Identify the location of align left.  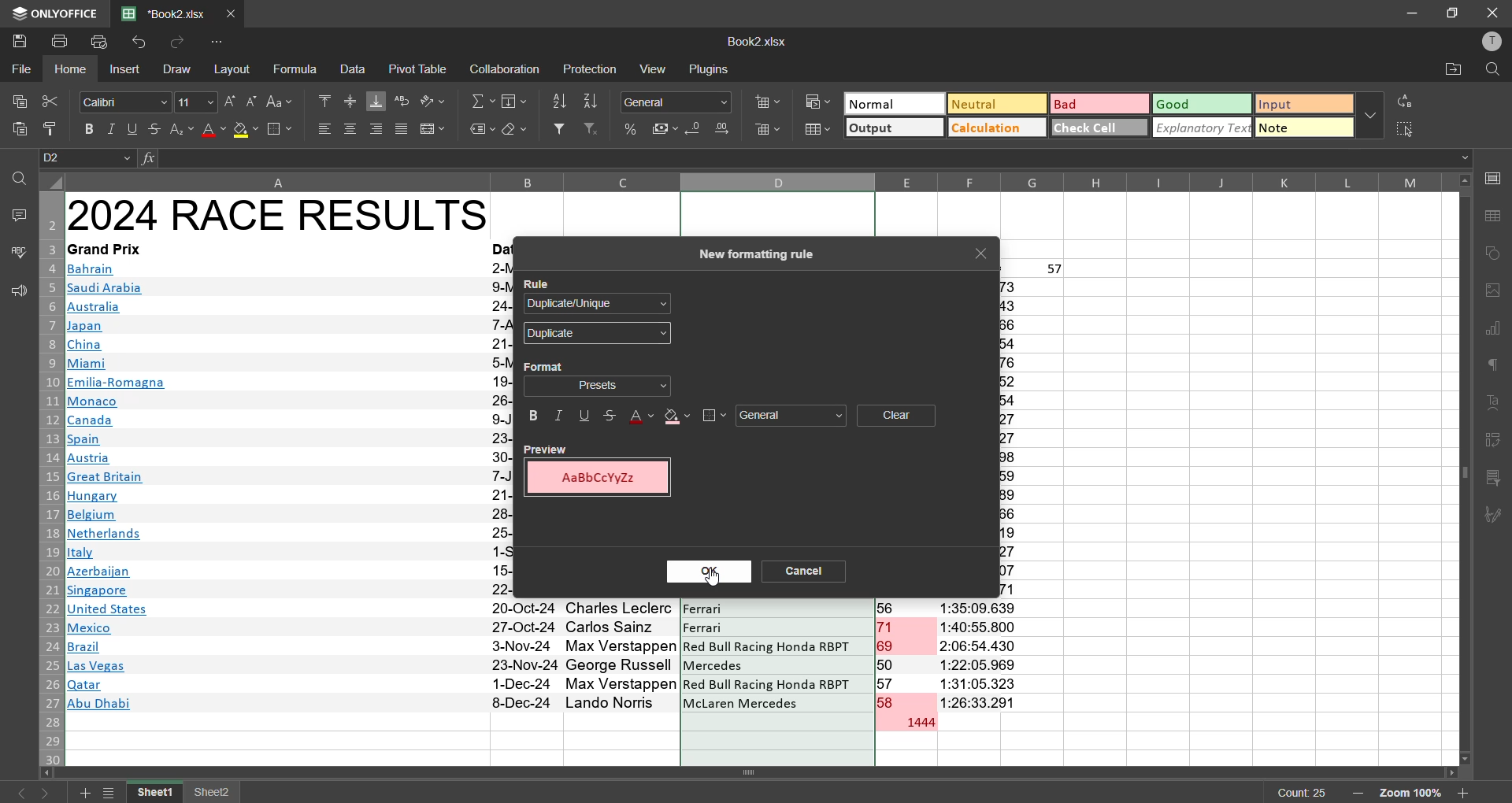
(324, 128).